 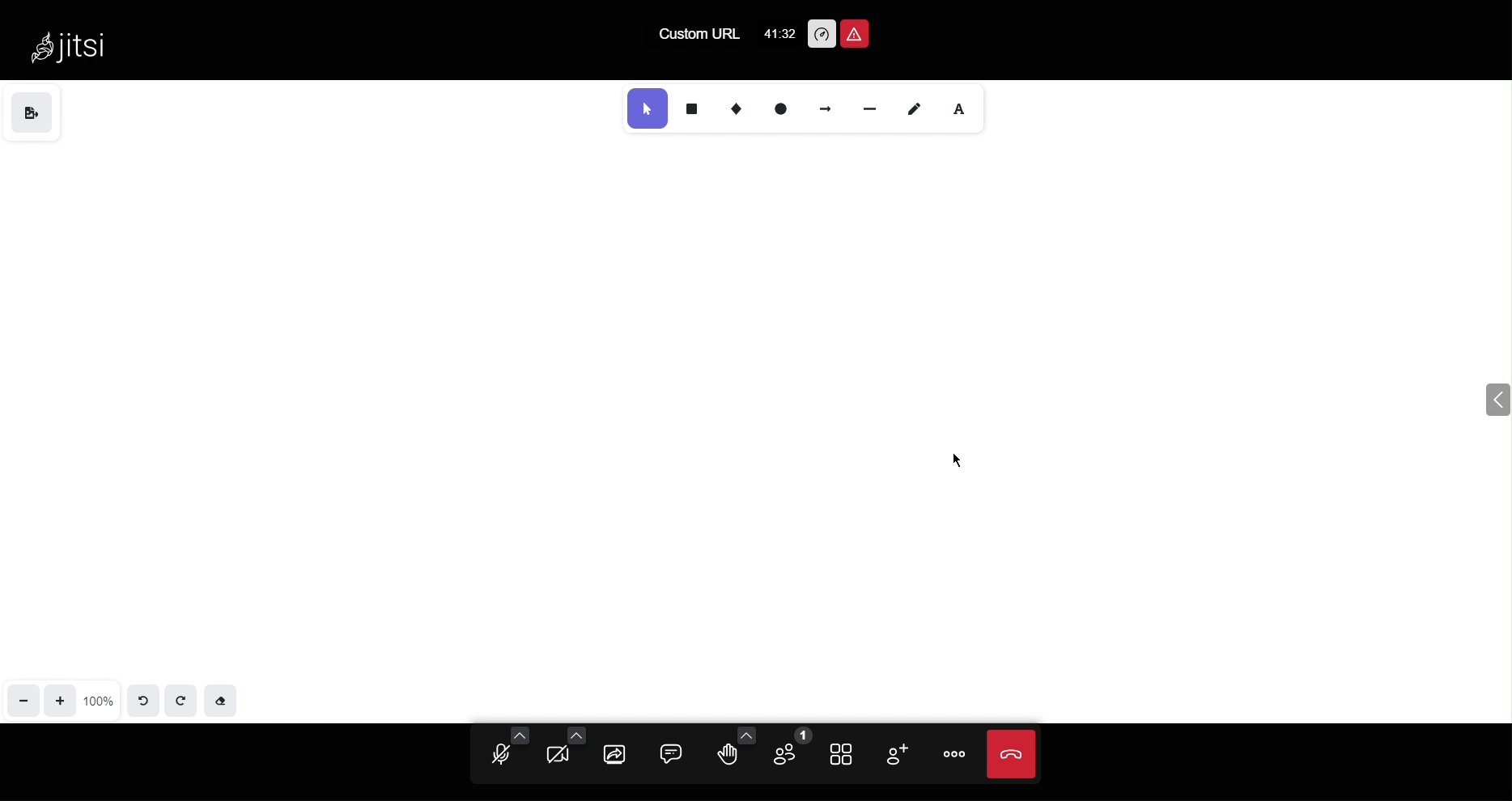 I want to click on Participants, so click(x=792, y=751).